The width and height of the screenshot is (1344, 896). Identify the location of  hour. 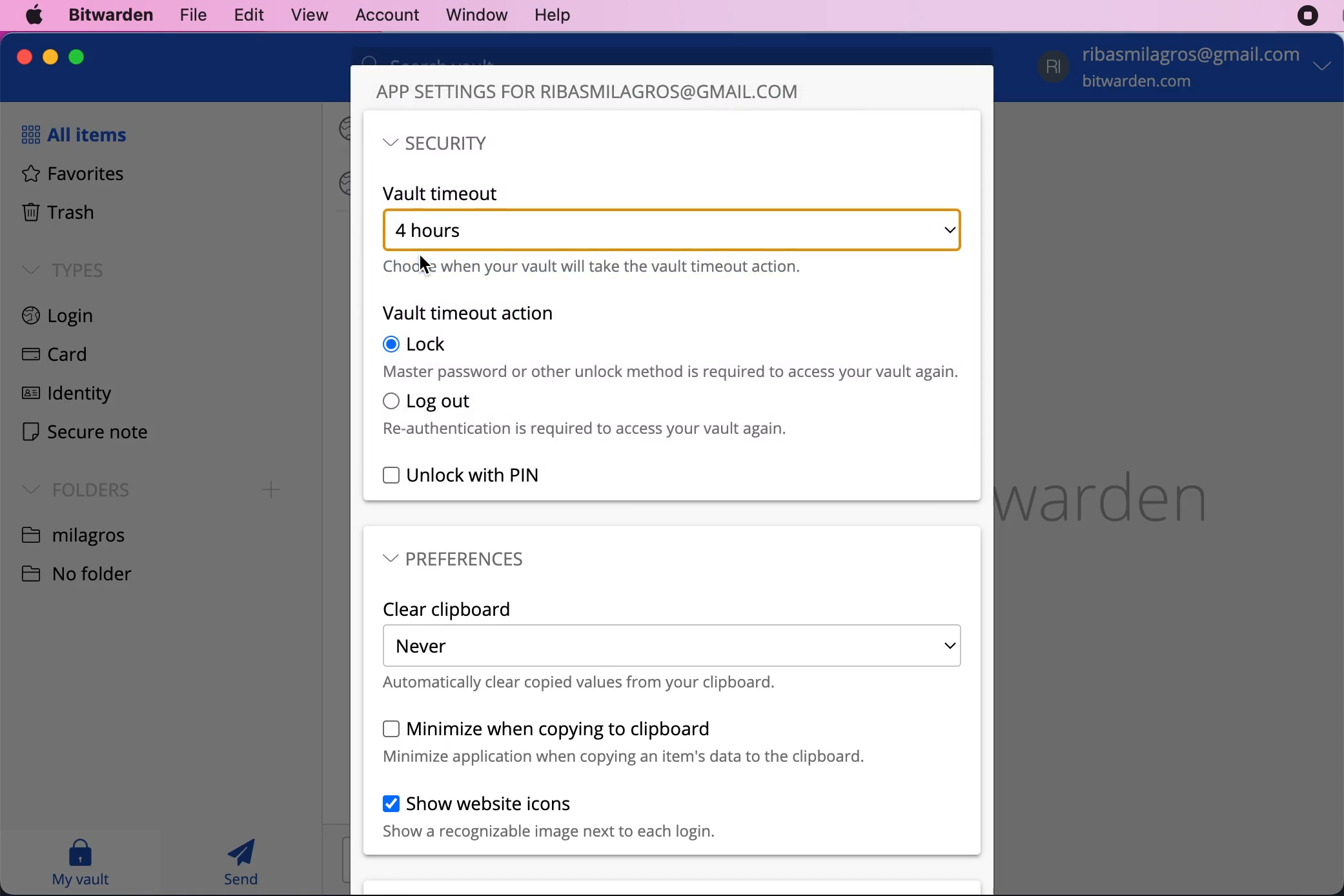
(673, 230).